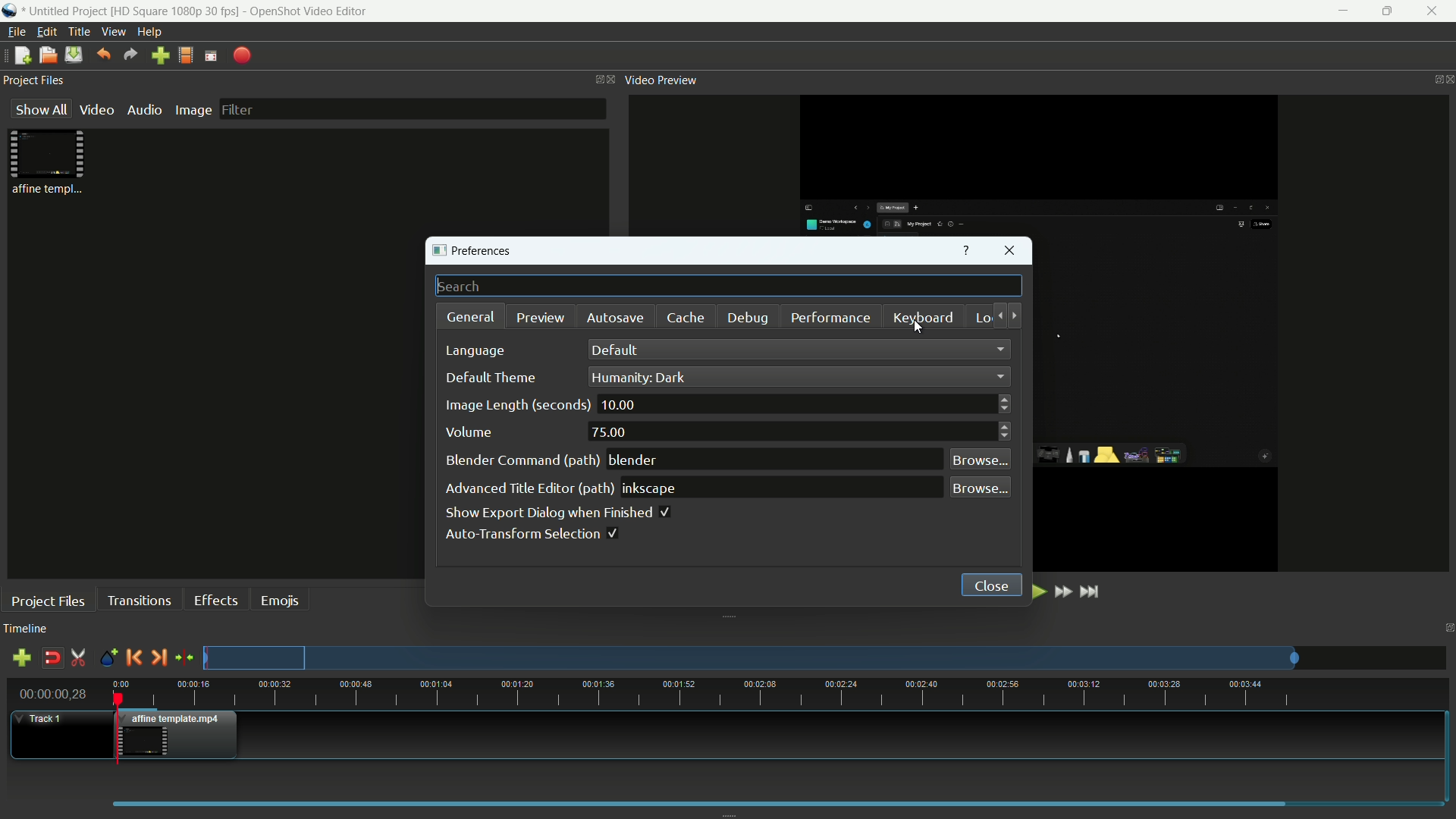 The image size is (1456, 819). What do you see at coordinates (186, 55) in the screenshot?
I see `profile` at bounding box center [186, 55].